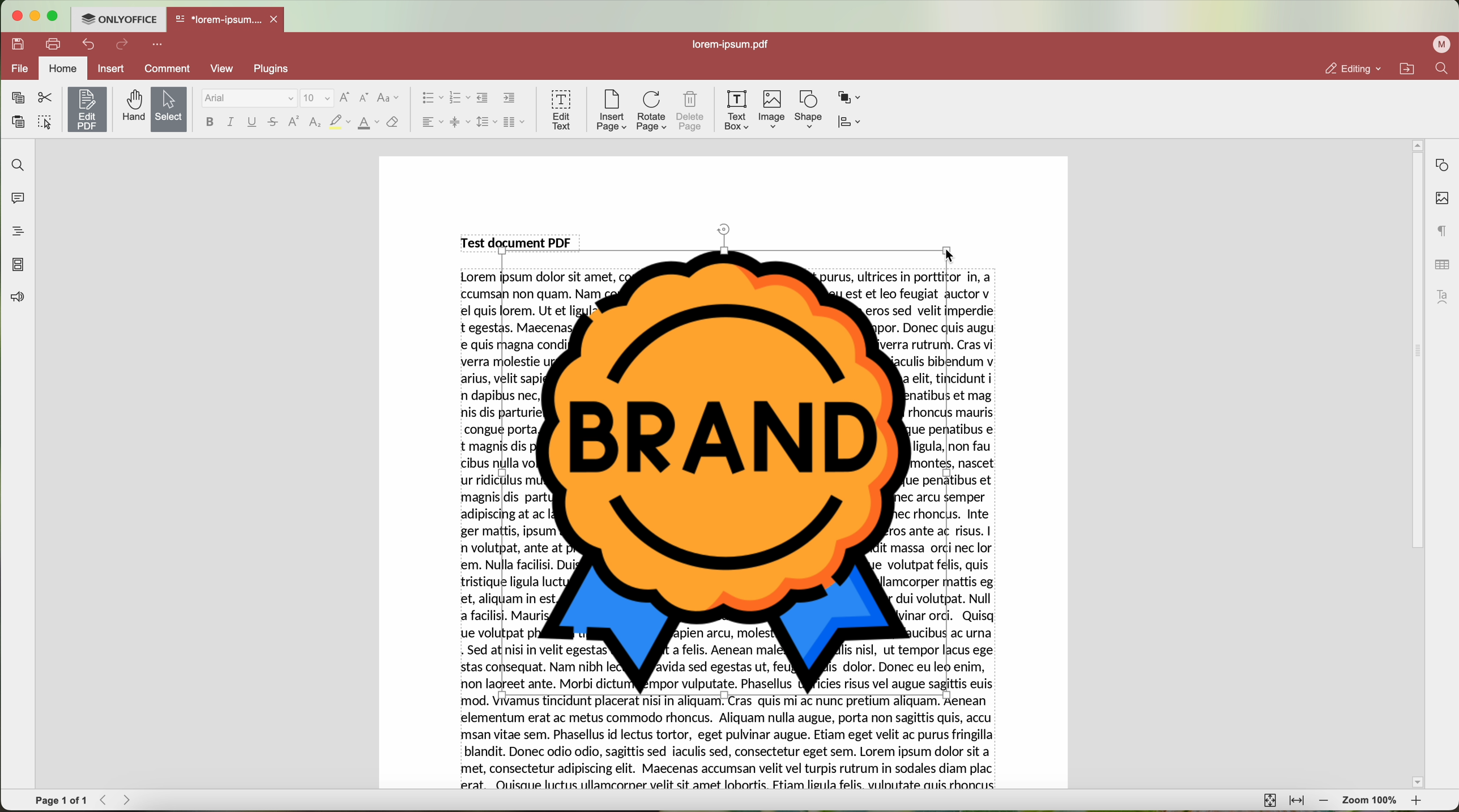  Describe the element at coordinates (562, 109) in the screenshot. I see `edit text` at that location.